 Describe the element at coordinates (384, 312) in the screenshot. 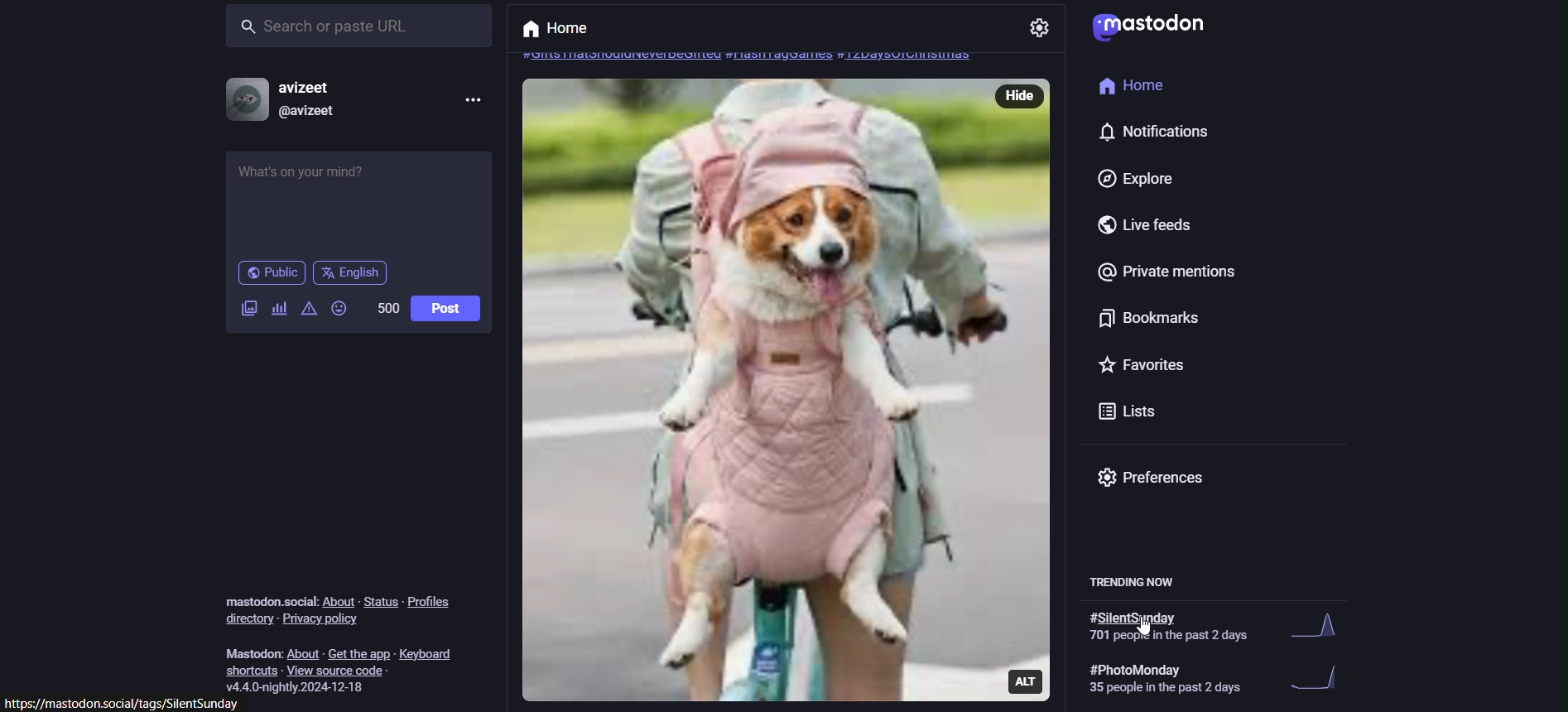

I see `500` at that location.